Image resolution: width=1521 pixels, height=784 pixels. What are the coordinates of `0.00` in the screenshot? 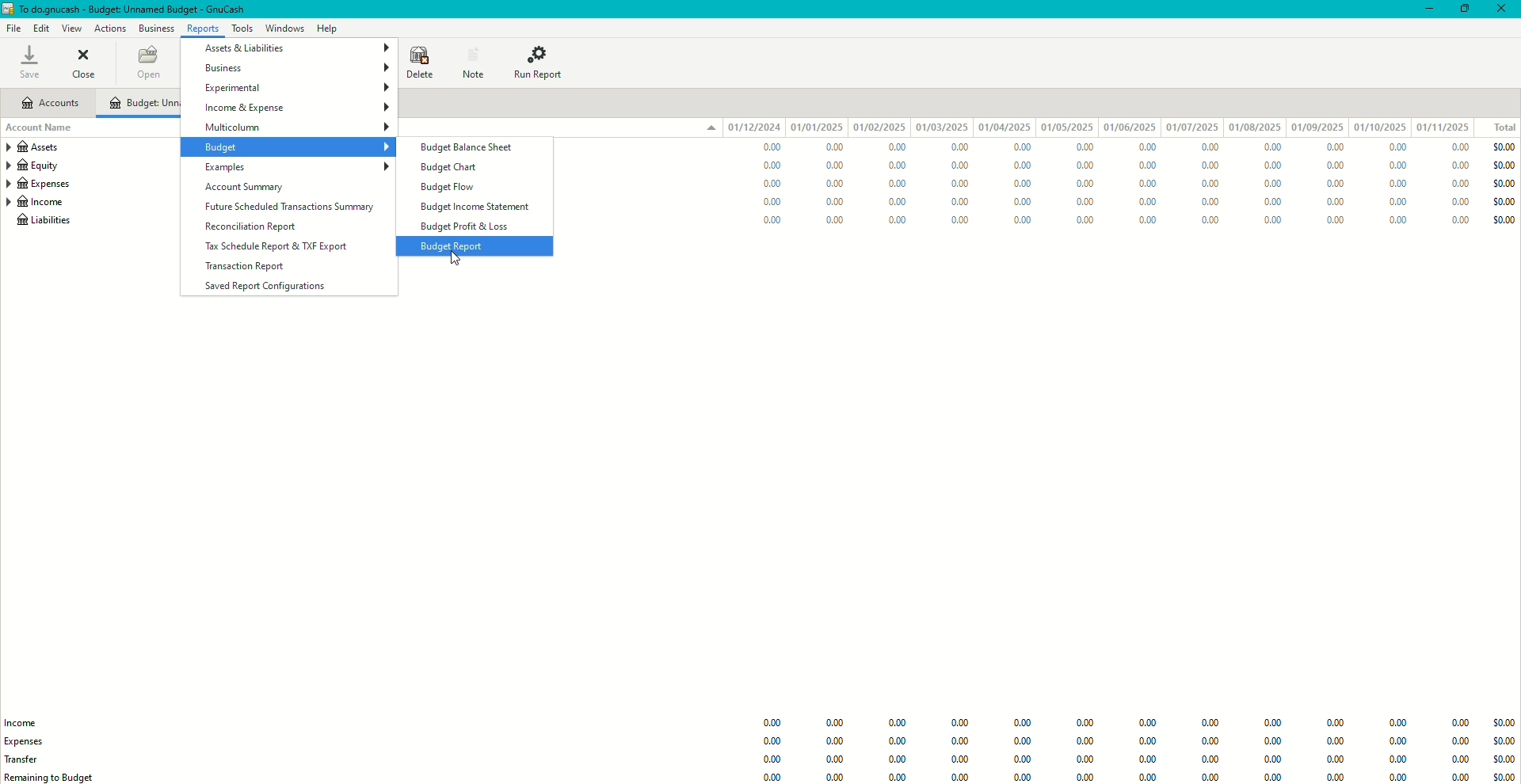 It's located at (1025, 776).